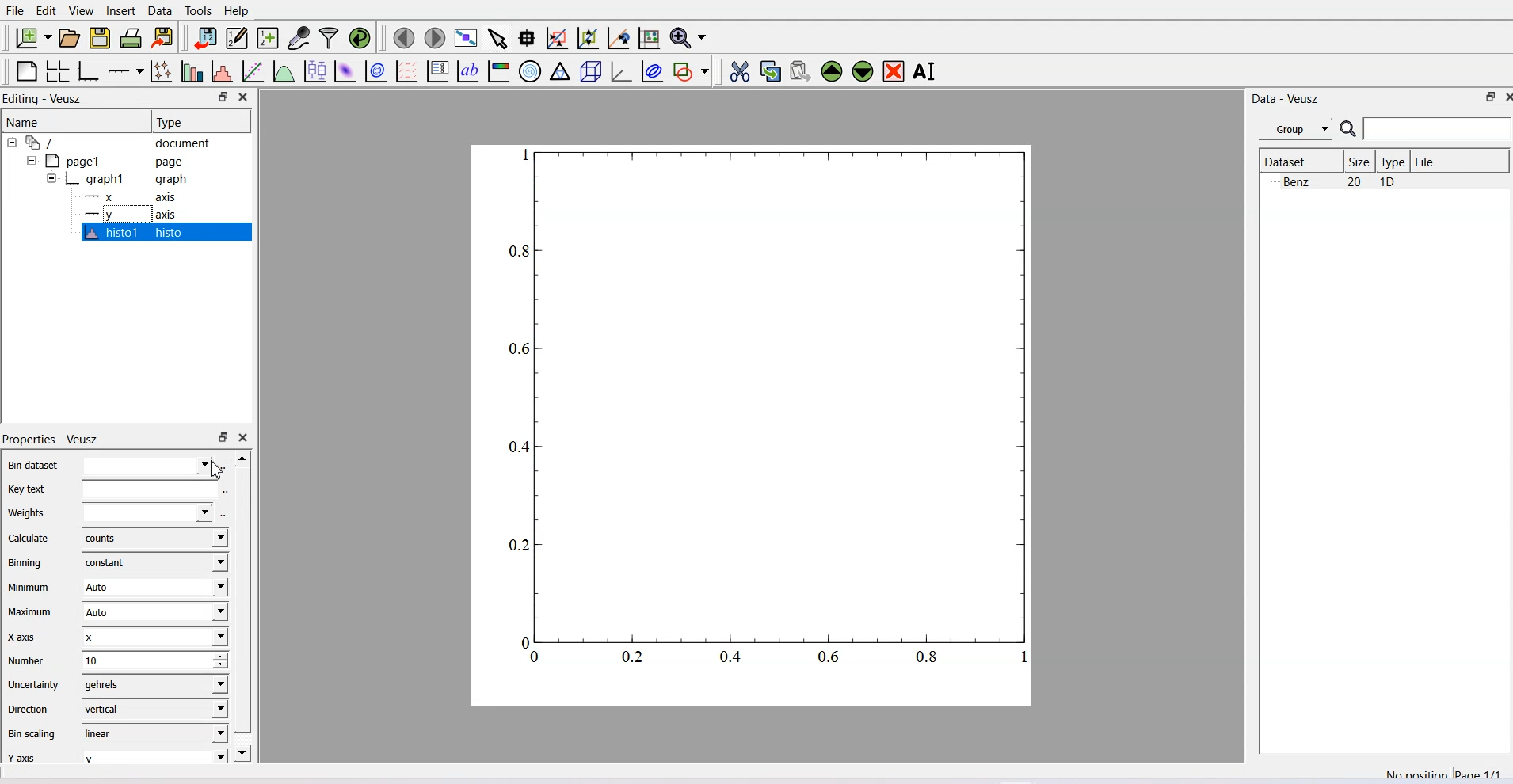 The width and height of the screenshot is (1513, 784). Describe the element at coordinates (89, 71) in the screenshot. I see `Base Graph` at that location.